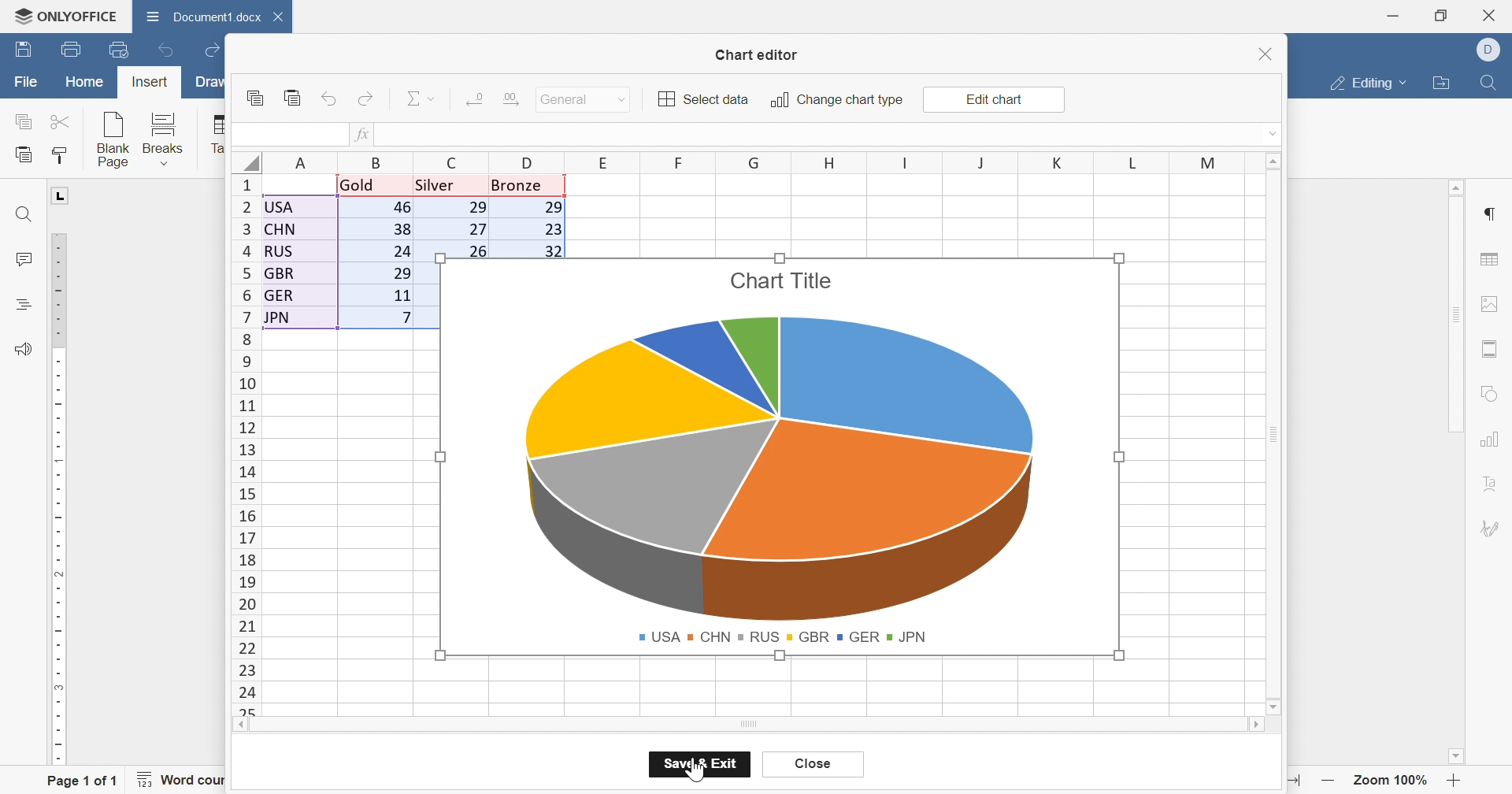 The image size is (1512, 794). I want to click on Word Count, so click(189, 779).